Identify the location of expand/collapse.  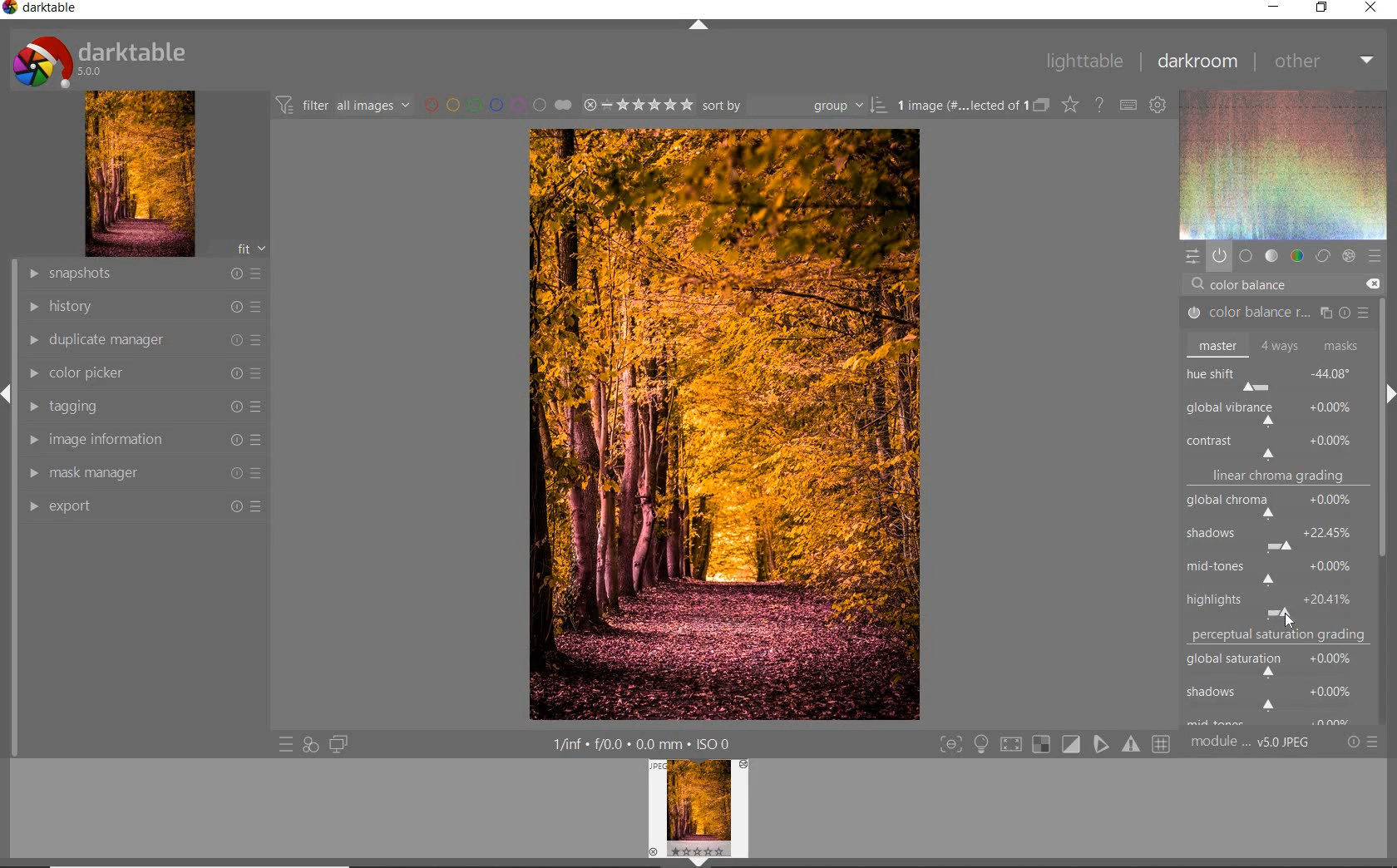
(1389, 388).